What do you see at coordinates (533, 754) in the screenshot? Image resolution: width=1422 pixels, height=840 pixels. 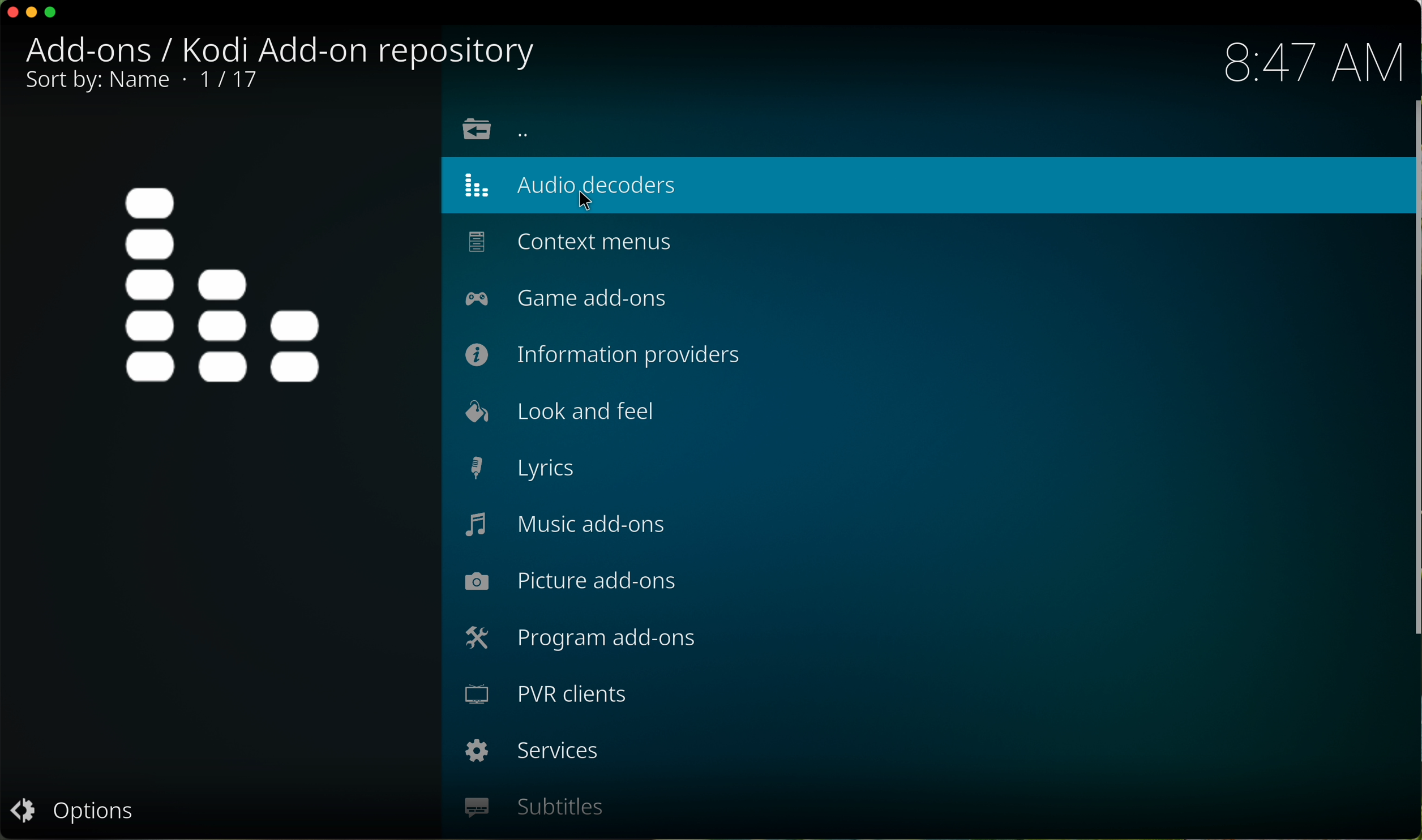 I see `services` at bounding box center [533, 754].